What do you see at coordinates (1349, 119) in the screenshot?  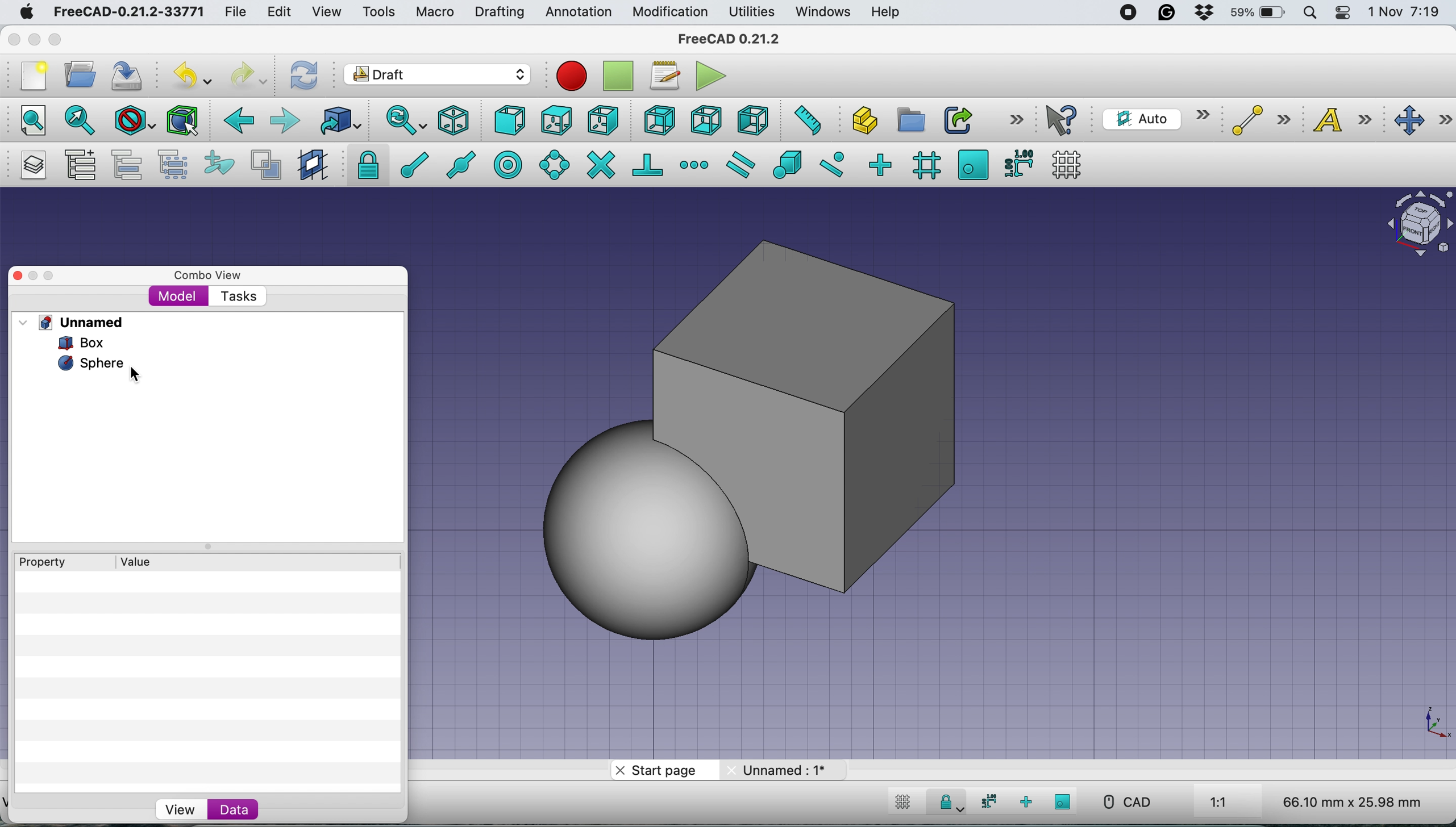 I see `text` at bounding box center [1349, 119].